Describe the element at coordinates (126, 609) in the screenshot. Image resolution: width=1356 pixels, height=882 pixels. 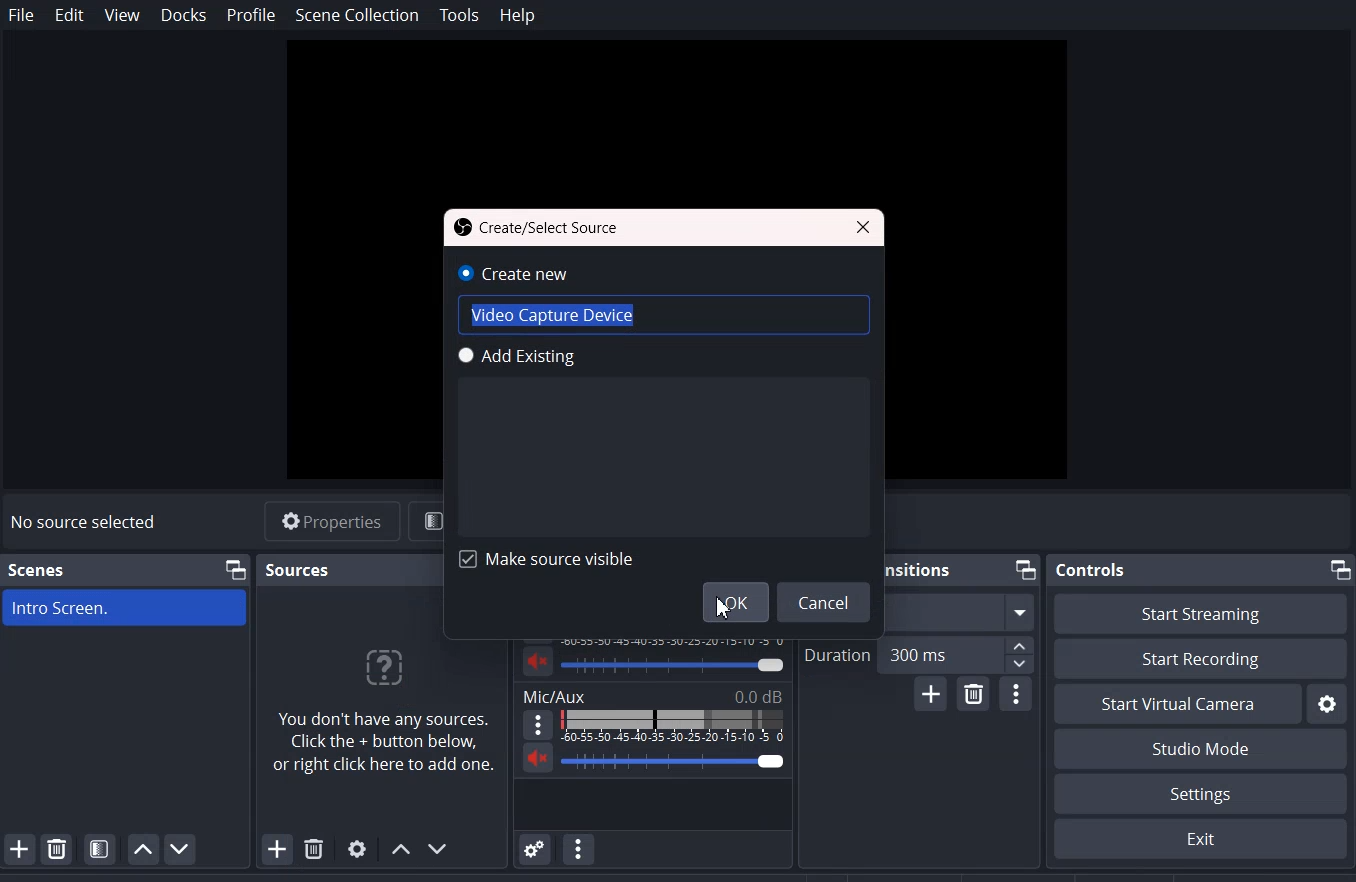
I see `Scene File` at that location.